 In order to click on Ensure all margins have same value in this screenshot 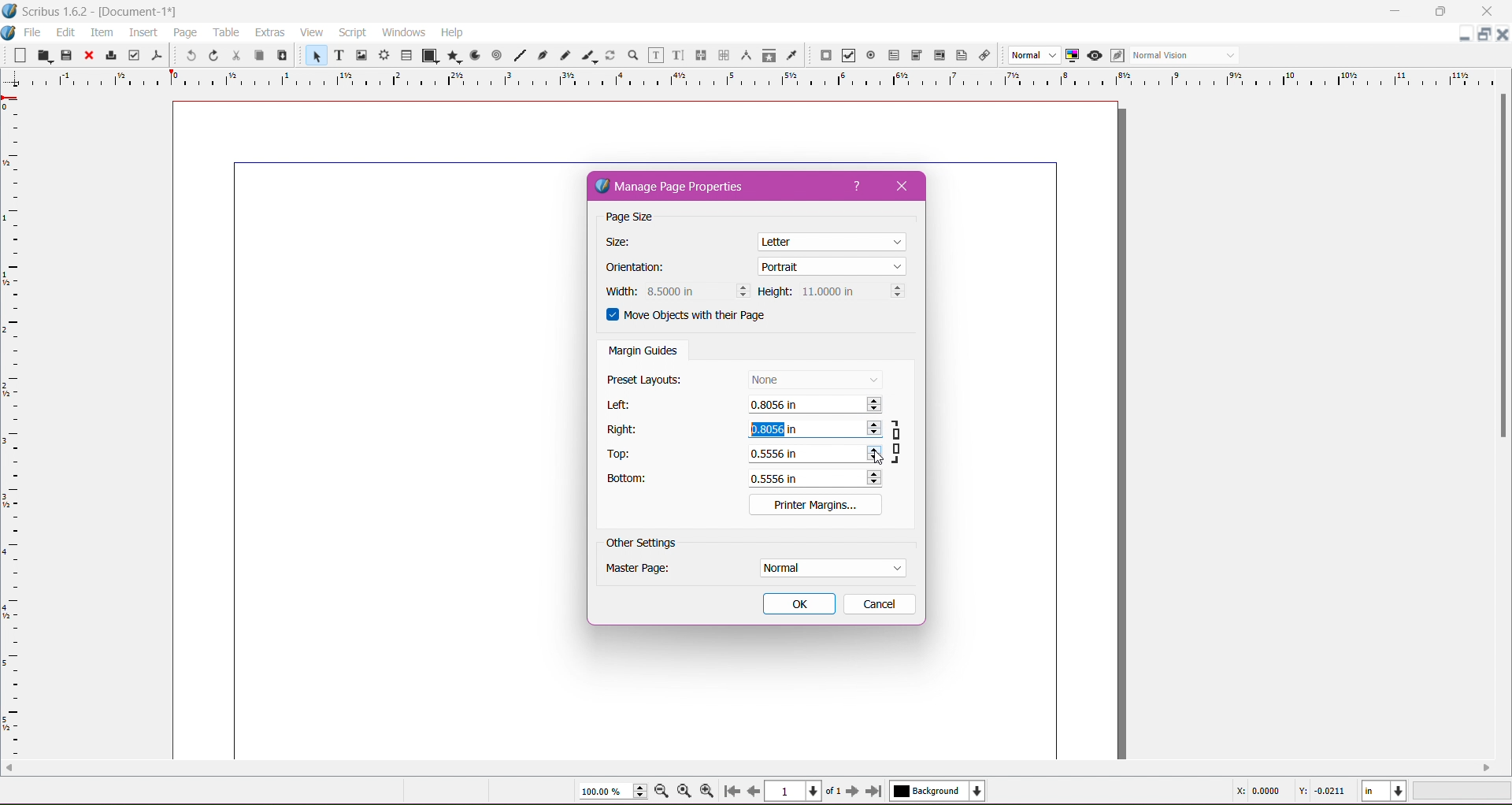, I will do `click(899, 440)`.